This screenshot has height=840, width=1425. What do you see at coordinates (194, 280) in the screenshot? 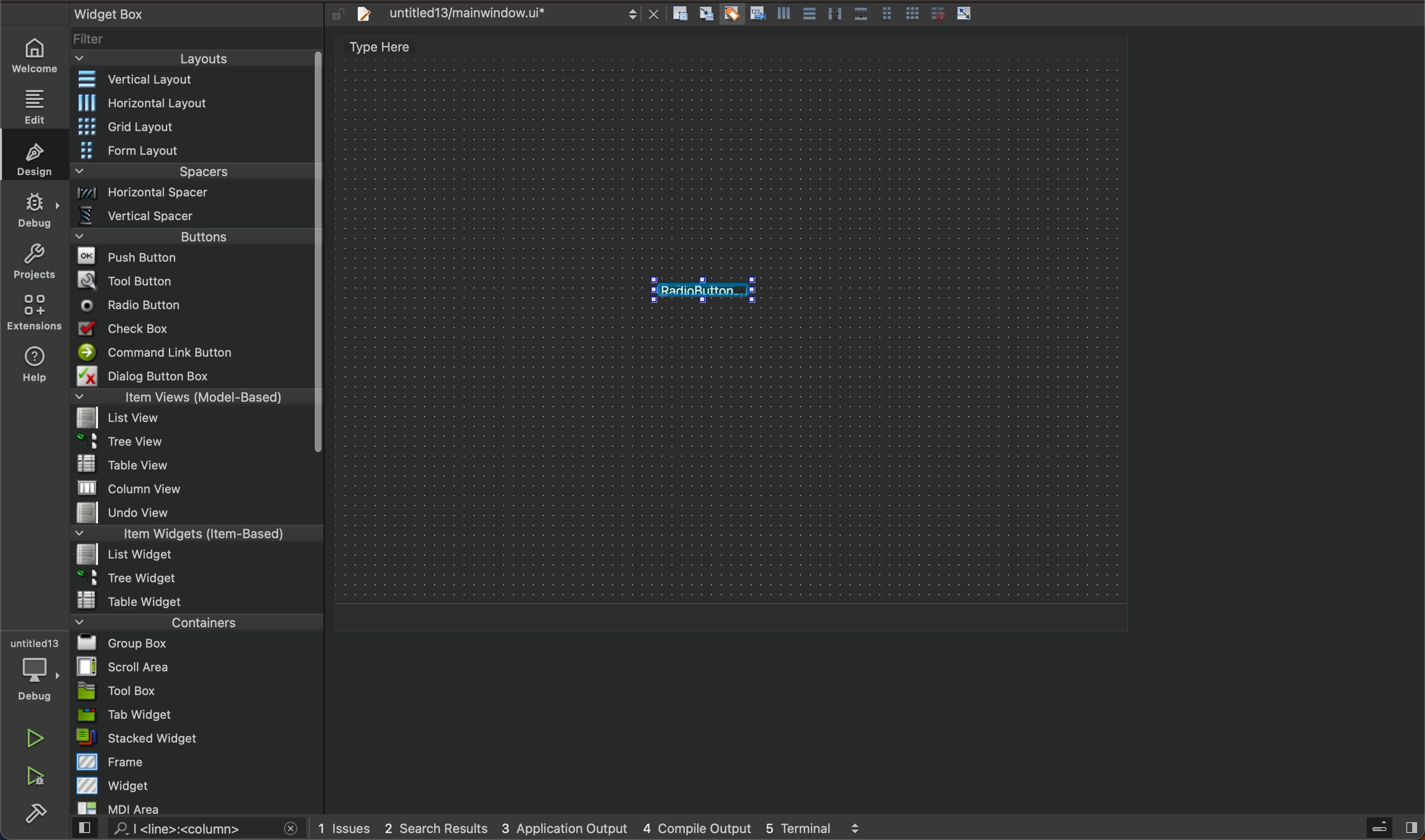
I see `tool button` at bounding box center [194, 280].